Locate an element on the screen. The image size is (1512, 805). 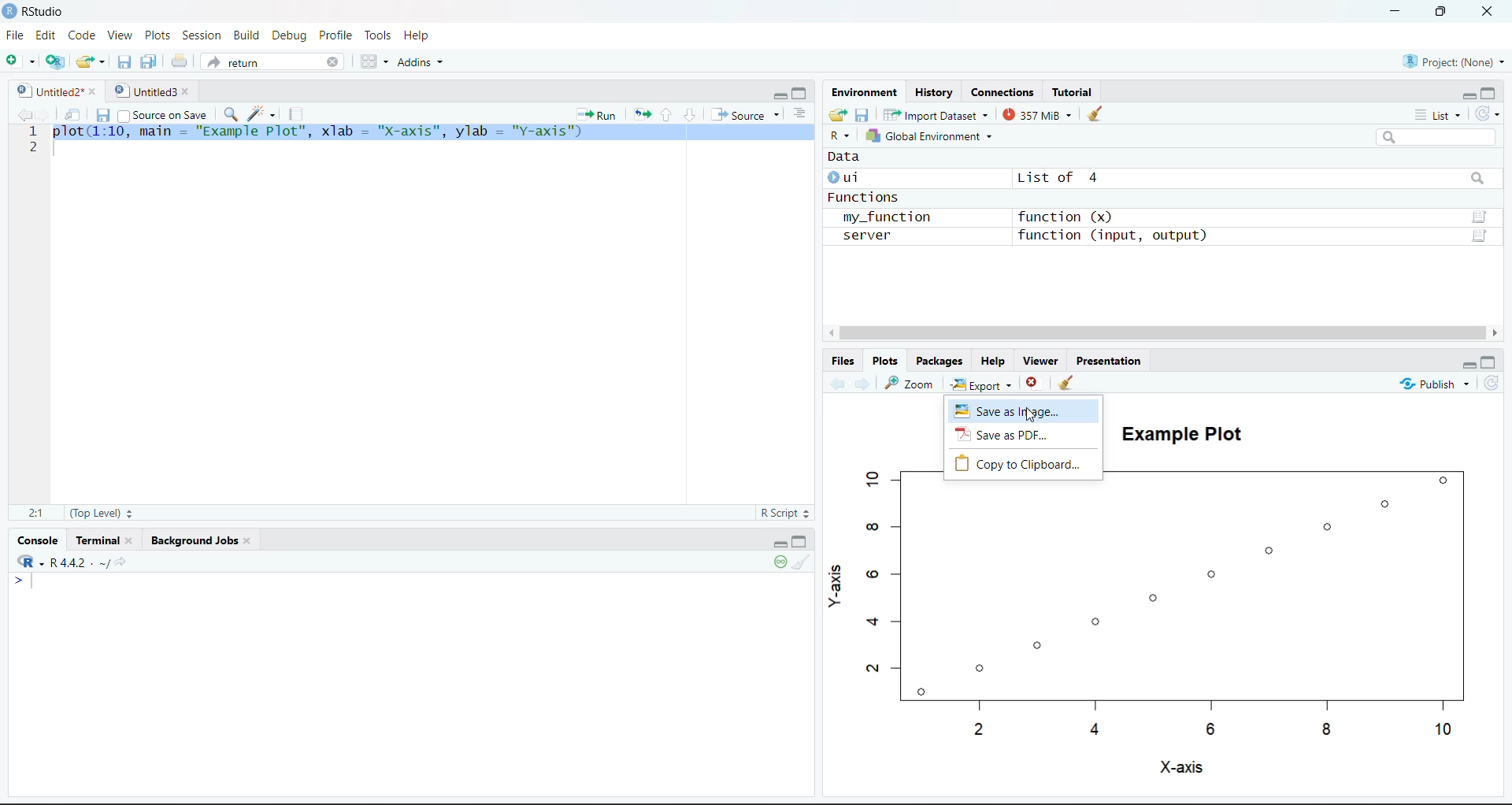
plot(1:10, main = "Example Plot", xlab = "X-axis", ylab = "y-axis") is located at coordinates (432, 132).